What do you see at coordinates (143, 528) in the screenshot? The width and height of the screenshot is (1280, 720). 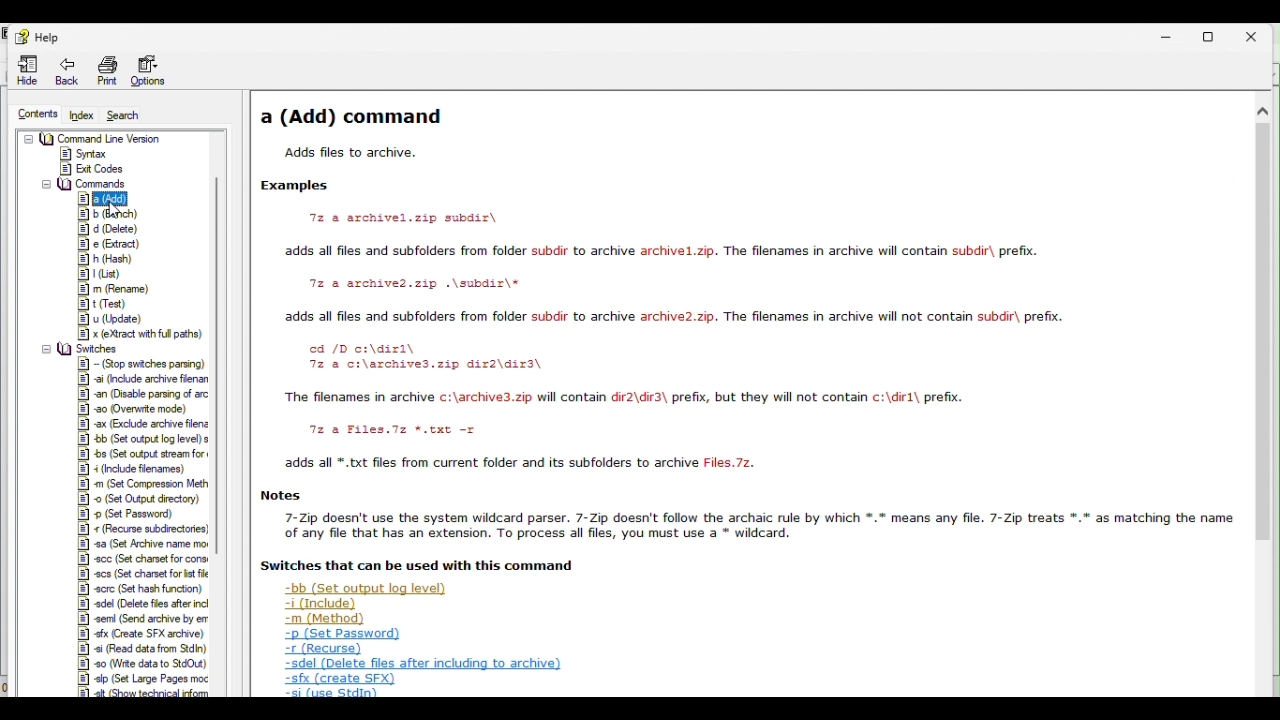 I see `-r` at bounding box center [143, 528].